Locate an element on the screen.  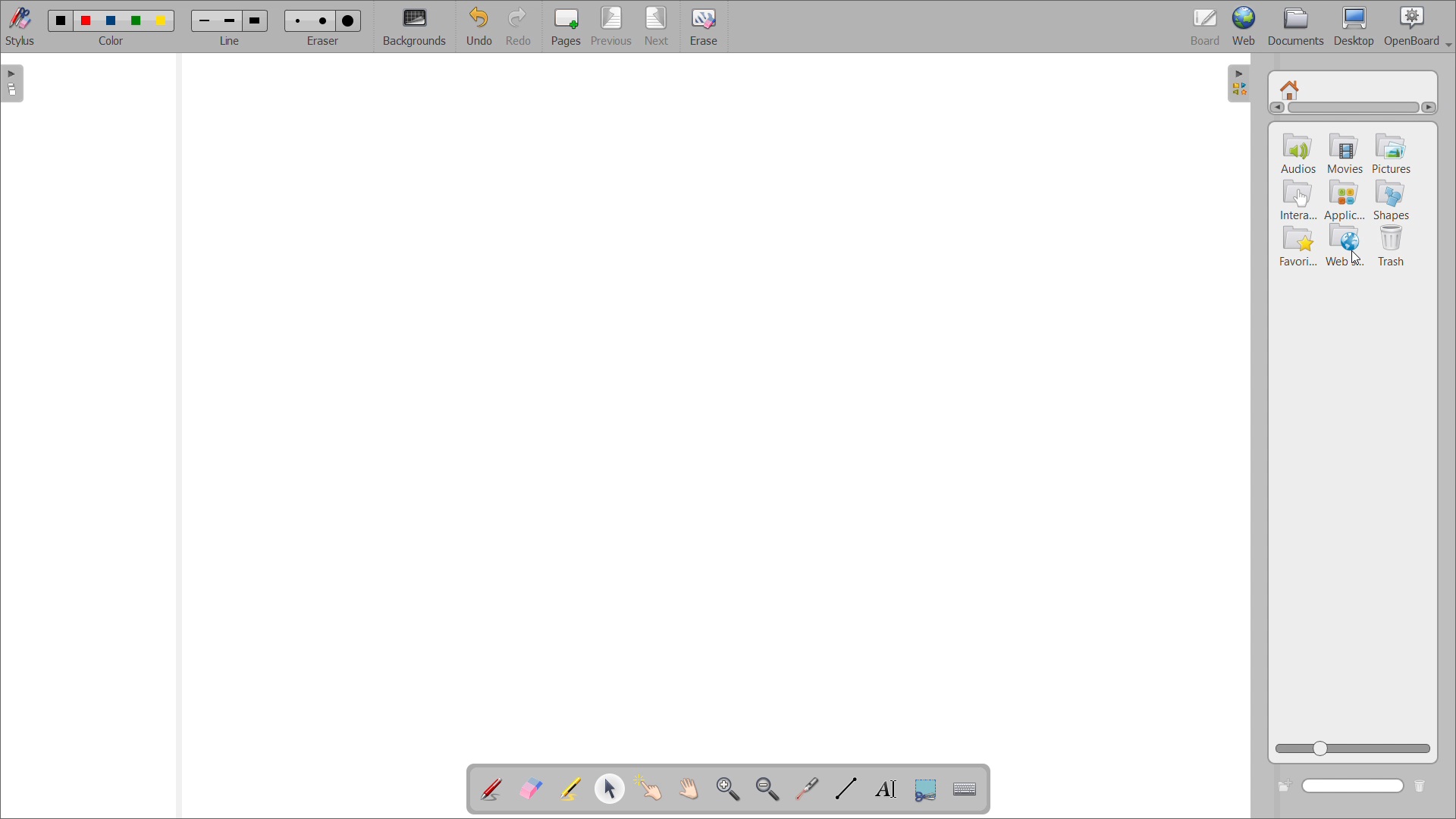
shapes is located at coordinates (1394, 200).